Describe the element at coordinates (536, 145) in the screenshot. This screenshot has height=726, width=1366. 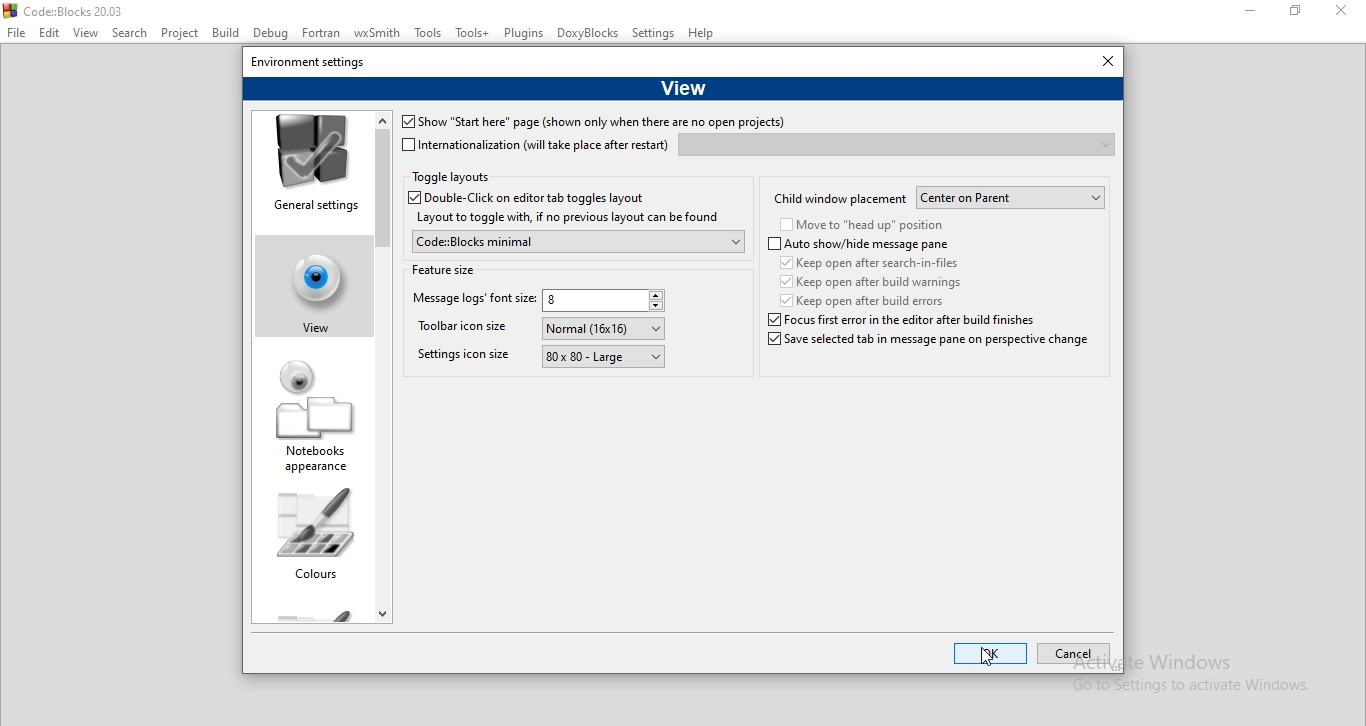
I see `Internationalization (will take place after restart)` at that location.